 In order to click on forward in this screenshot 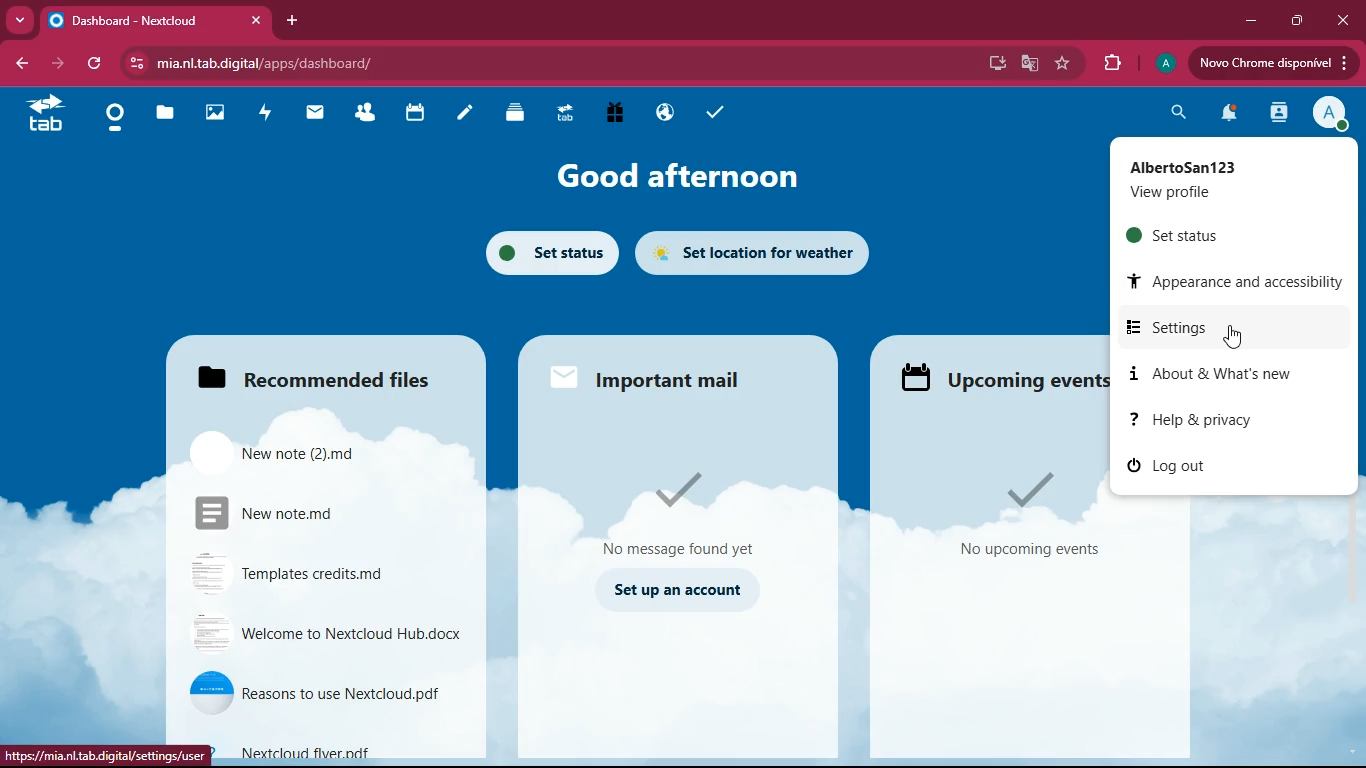, I will do `click(60, 65)`.